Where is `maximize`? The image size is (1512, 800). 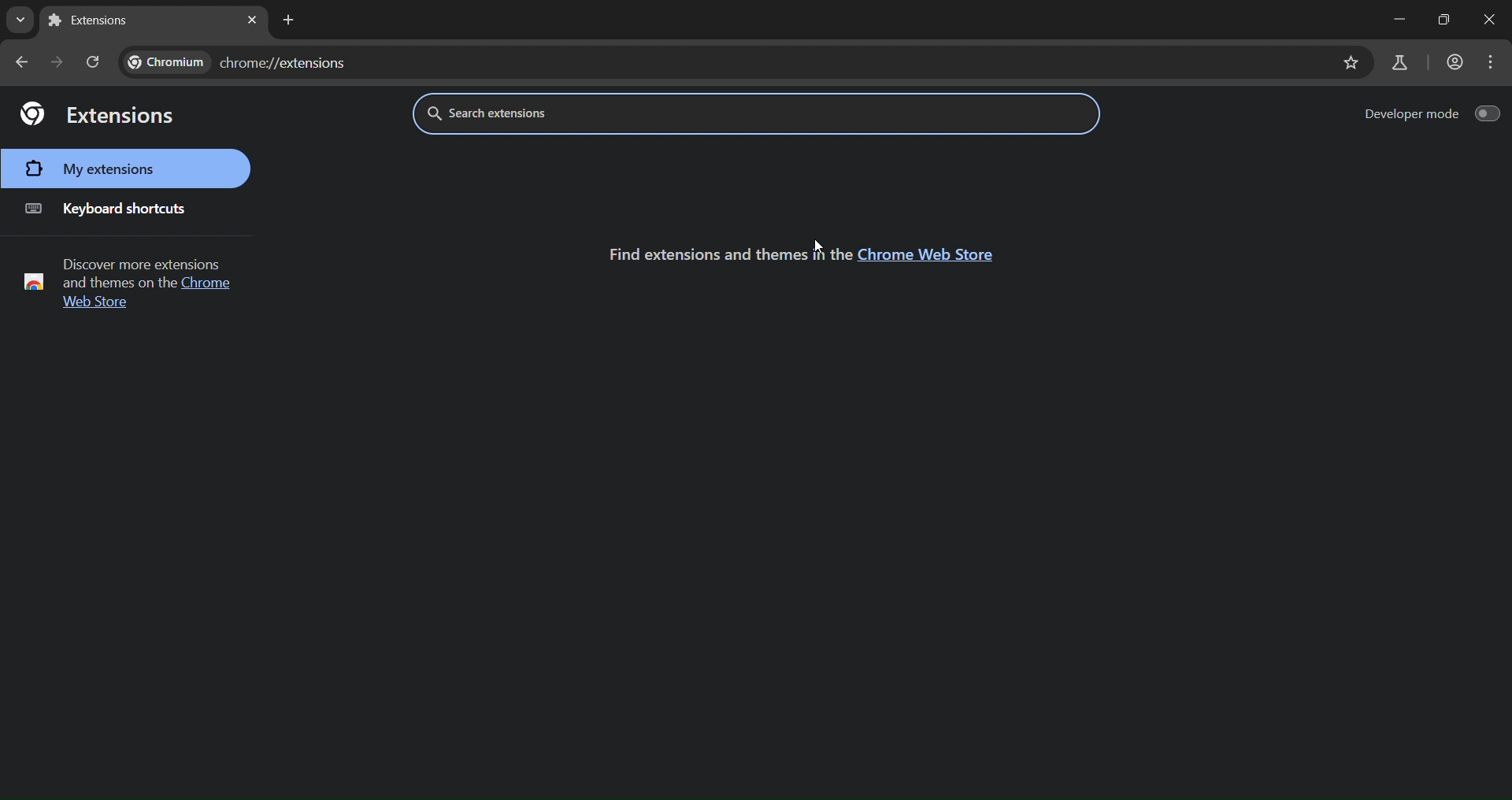
maximize is located at coordinates (1443, 18).